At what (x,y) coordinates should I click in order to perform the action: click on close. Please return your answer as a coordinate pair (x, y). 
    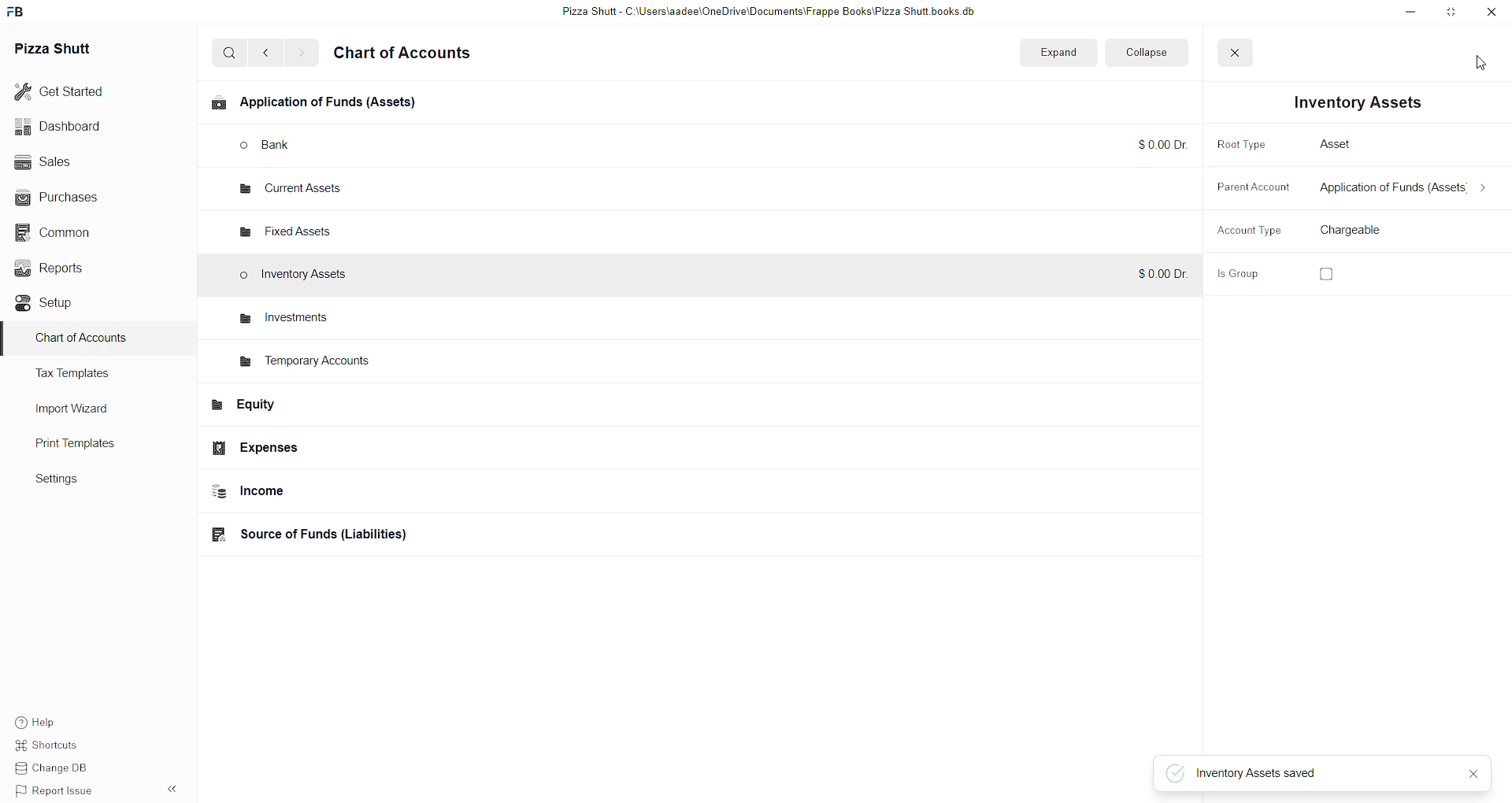
    Looking at the image, I should click on (1494, 13).